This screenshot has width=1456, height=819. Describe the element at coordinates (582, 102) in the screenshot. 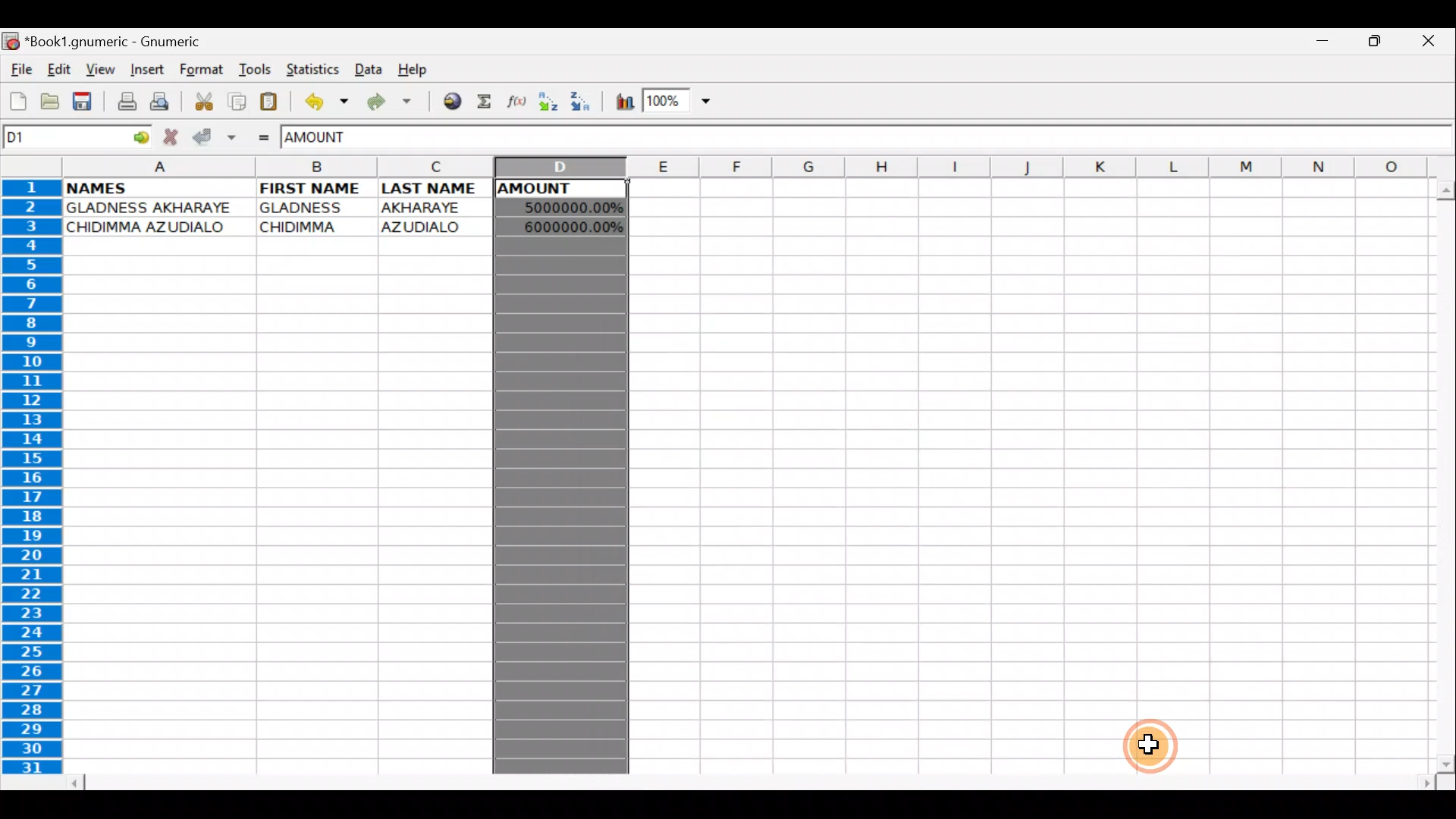

I see `Sort Descending order` at that location.